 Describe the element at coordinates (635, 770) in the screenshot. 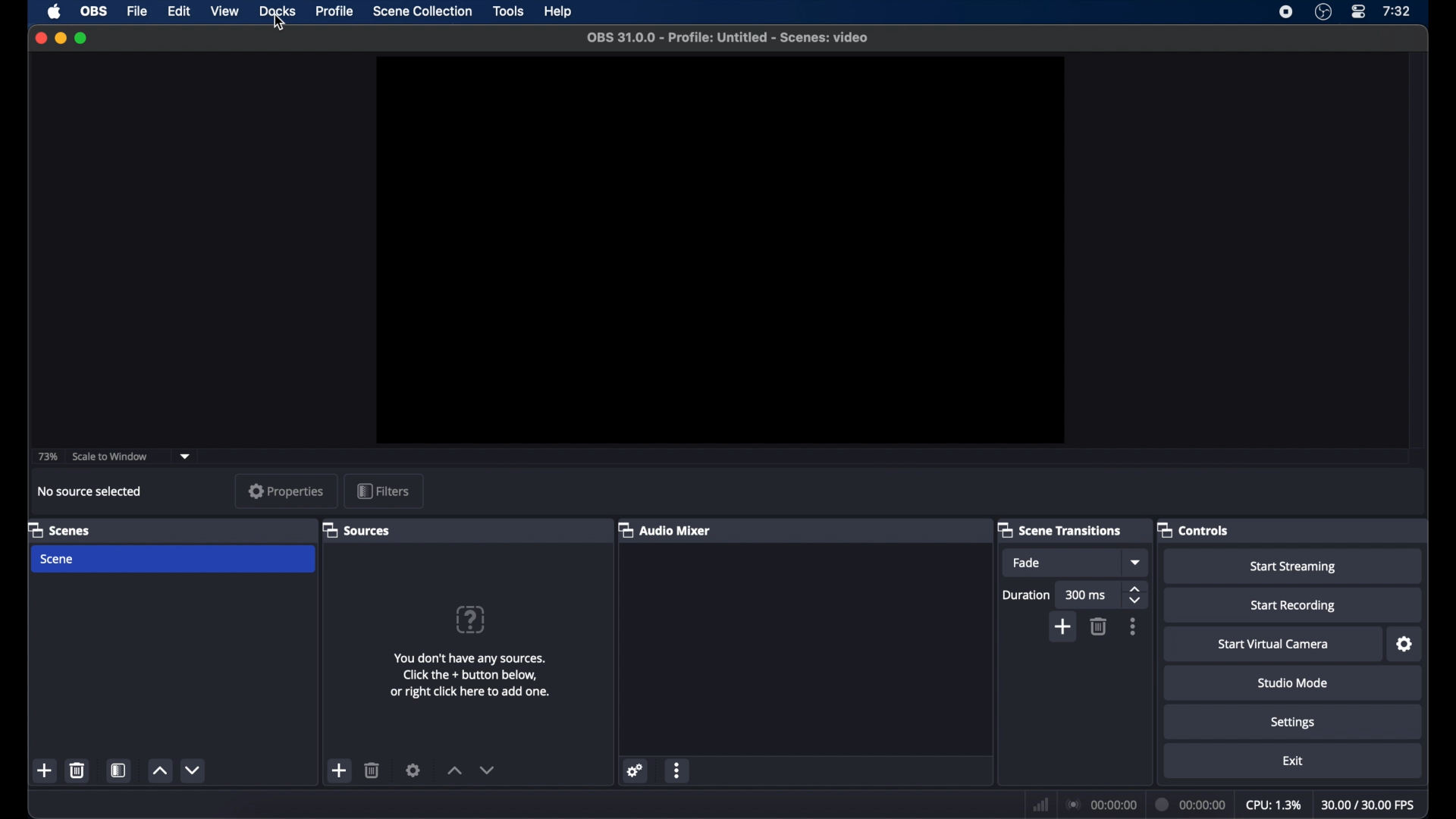

I see `settings` at that location.